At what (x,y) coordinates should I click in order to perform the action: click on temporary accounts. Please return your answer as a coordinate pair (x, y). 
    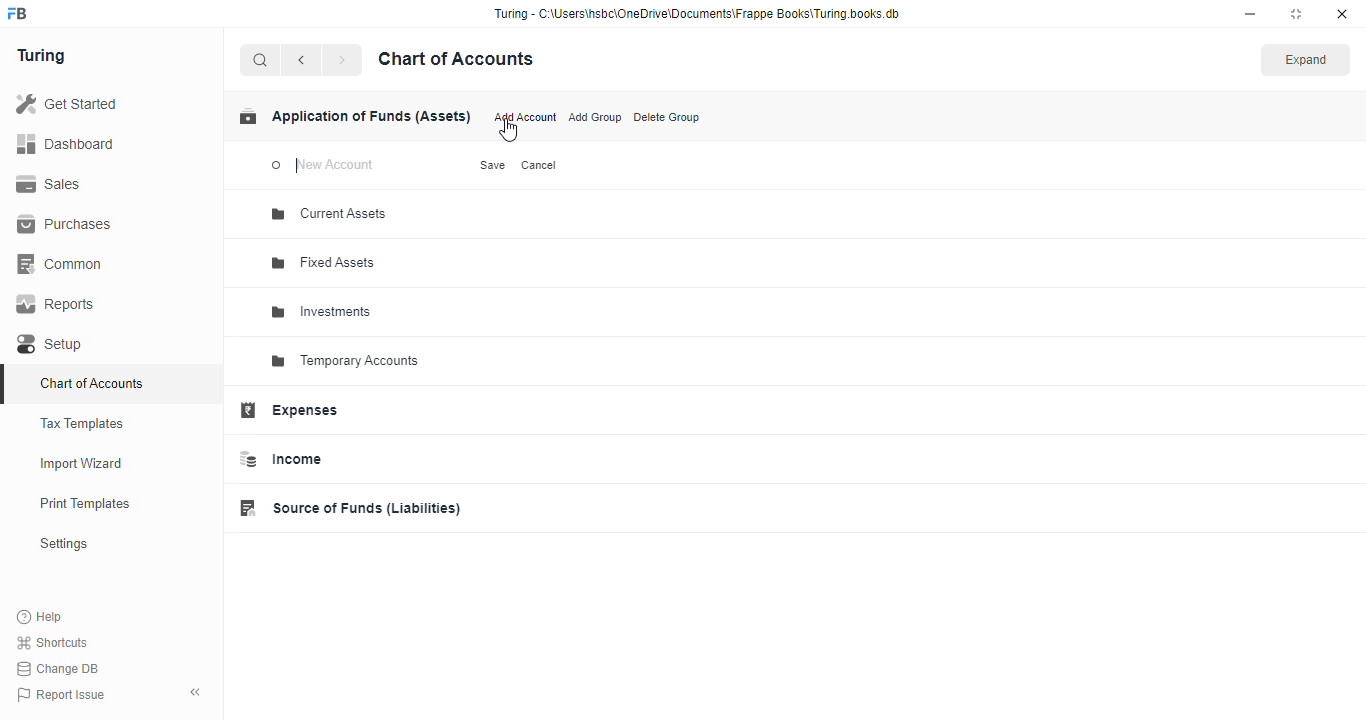
    Looking at the image, I should click on (345, 361).